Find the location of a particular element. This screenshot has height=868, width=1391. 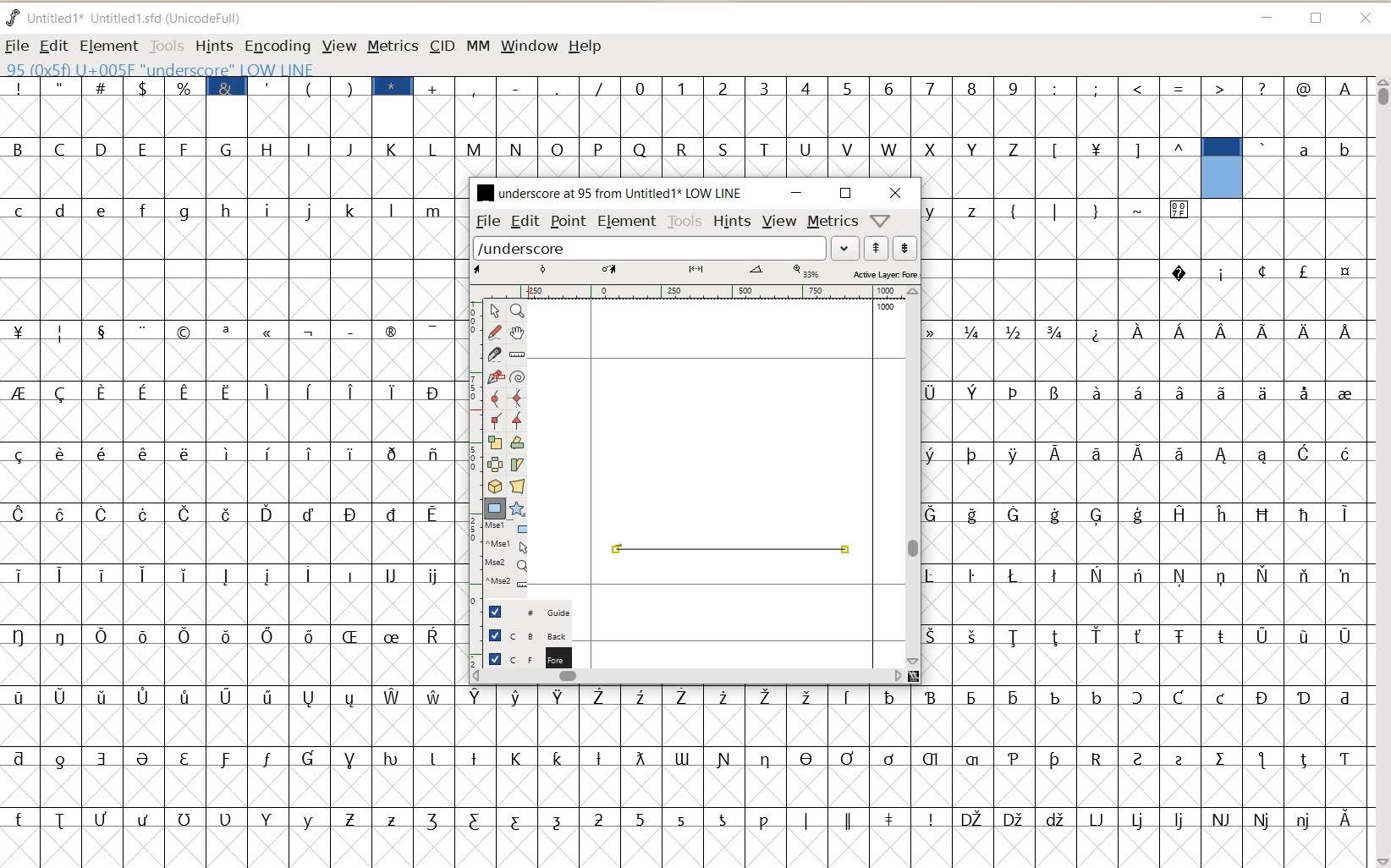

CID is located at coordinates (442, 47).